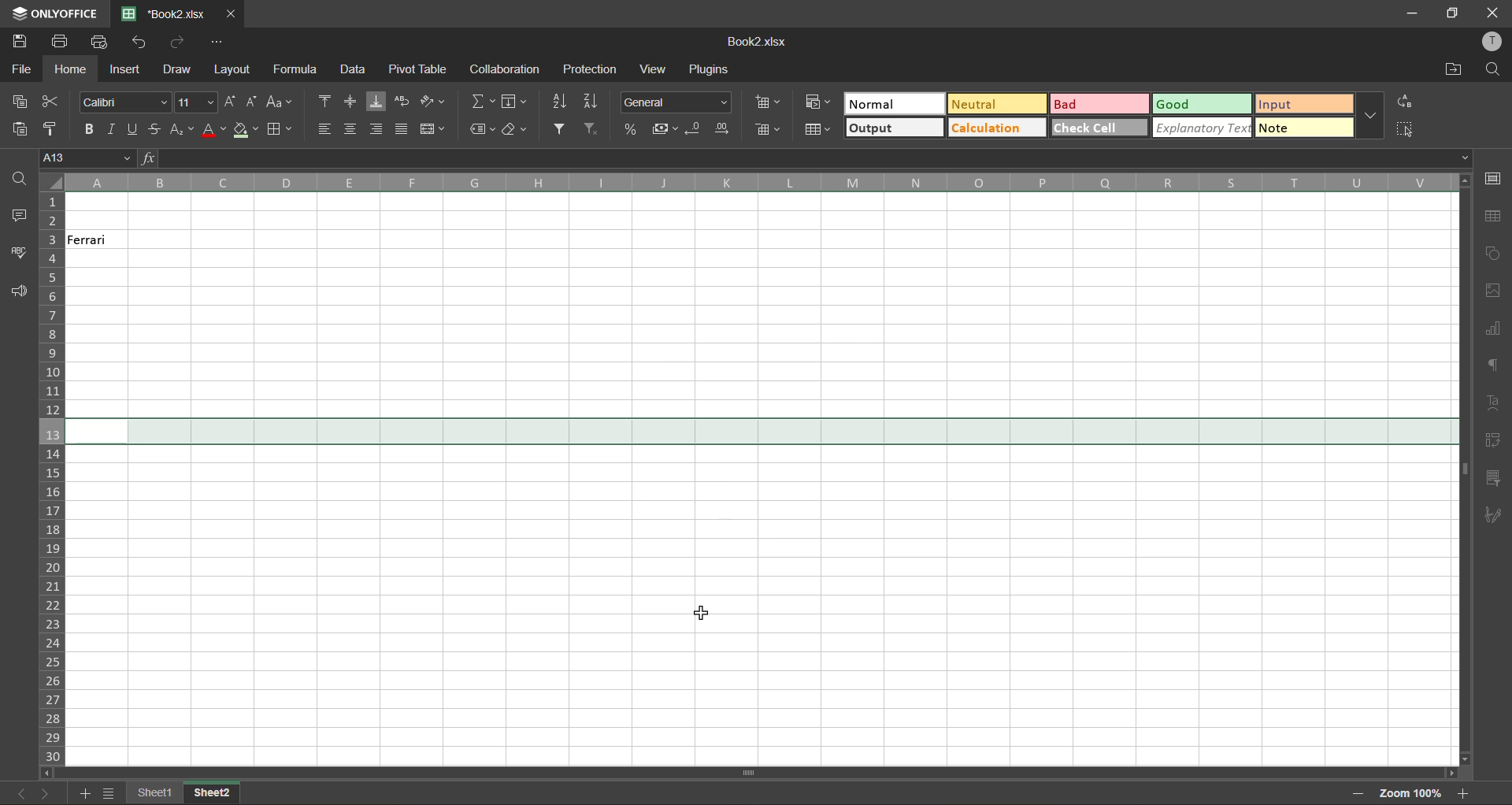 The height and width of the screenshot is (805, 1512). What do you see at coordinates (349, 100) in the screenshot?
I see `align middle` at bounding box center [349, 100].